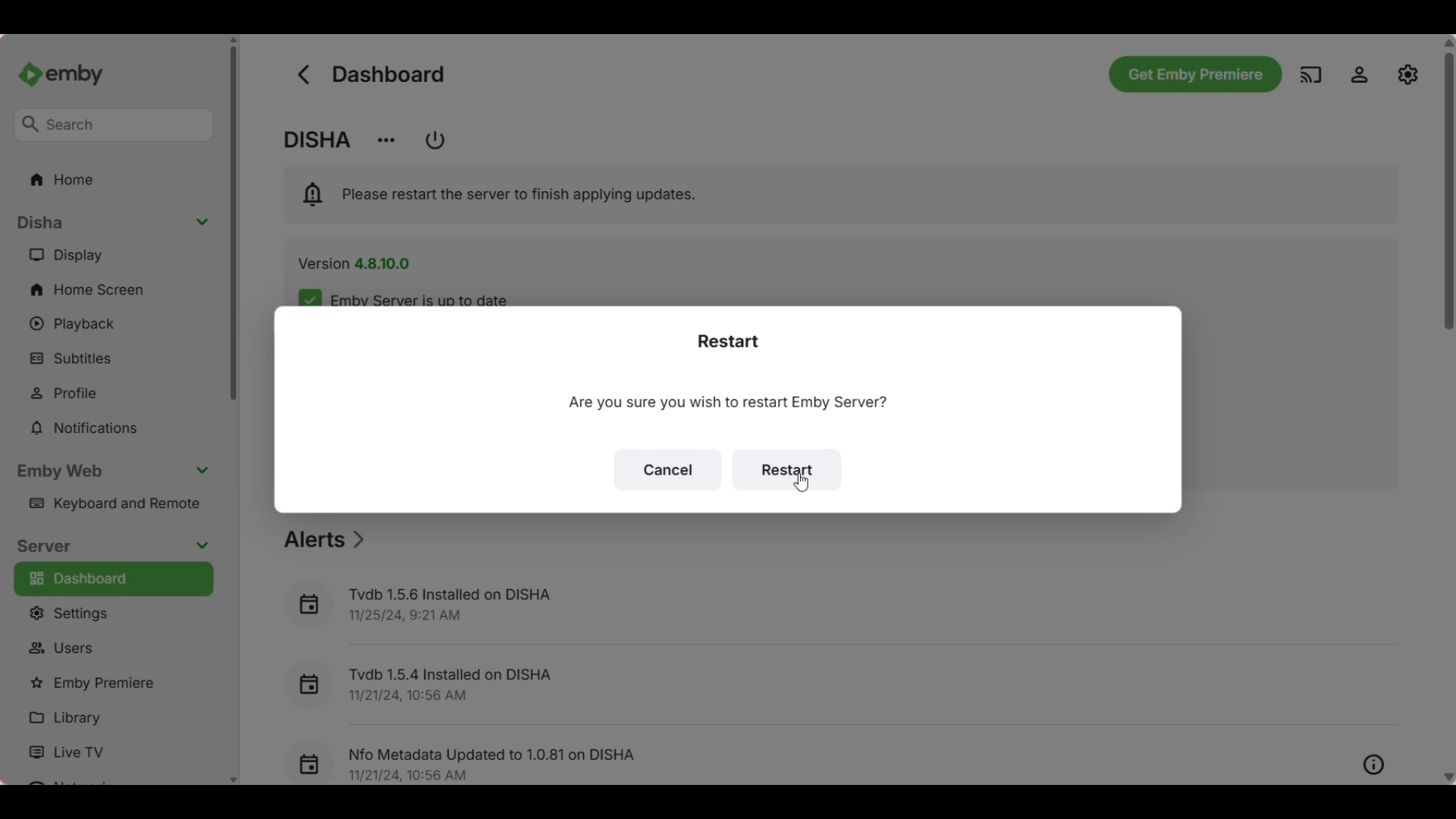  What do you see at coordinates (385, 141) in the screenshot?
I see `Change server display name/View info` at bounding box center [385, 141].